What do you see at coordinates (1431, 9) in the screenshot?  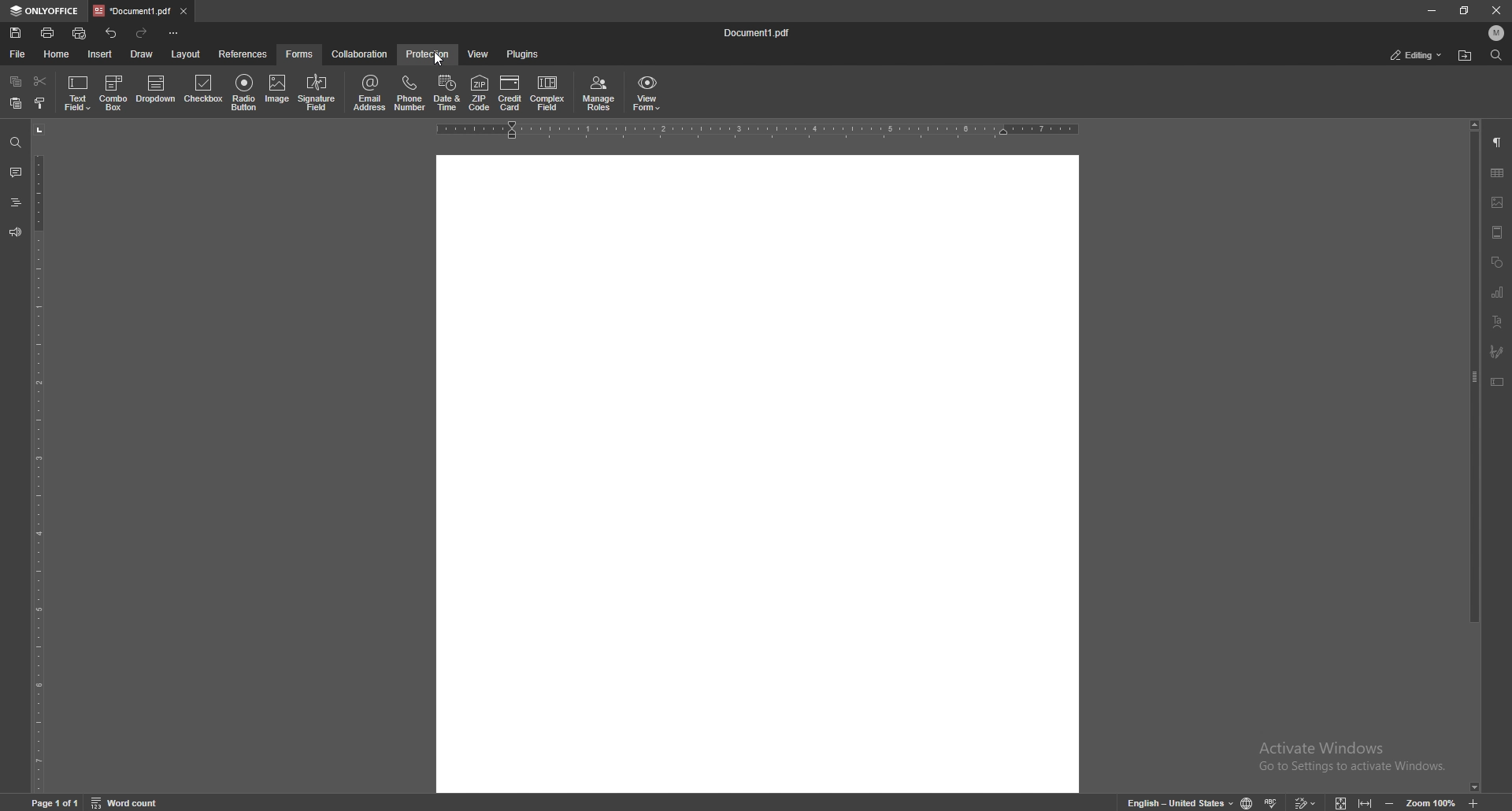 I see `minimize` at bounding box center [1431, 9].